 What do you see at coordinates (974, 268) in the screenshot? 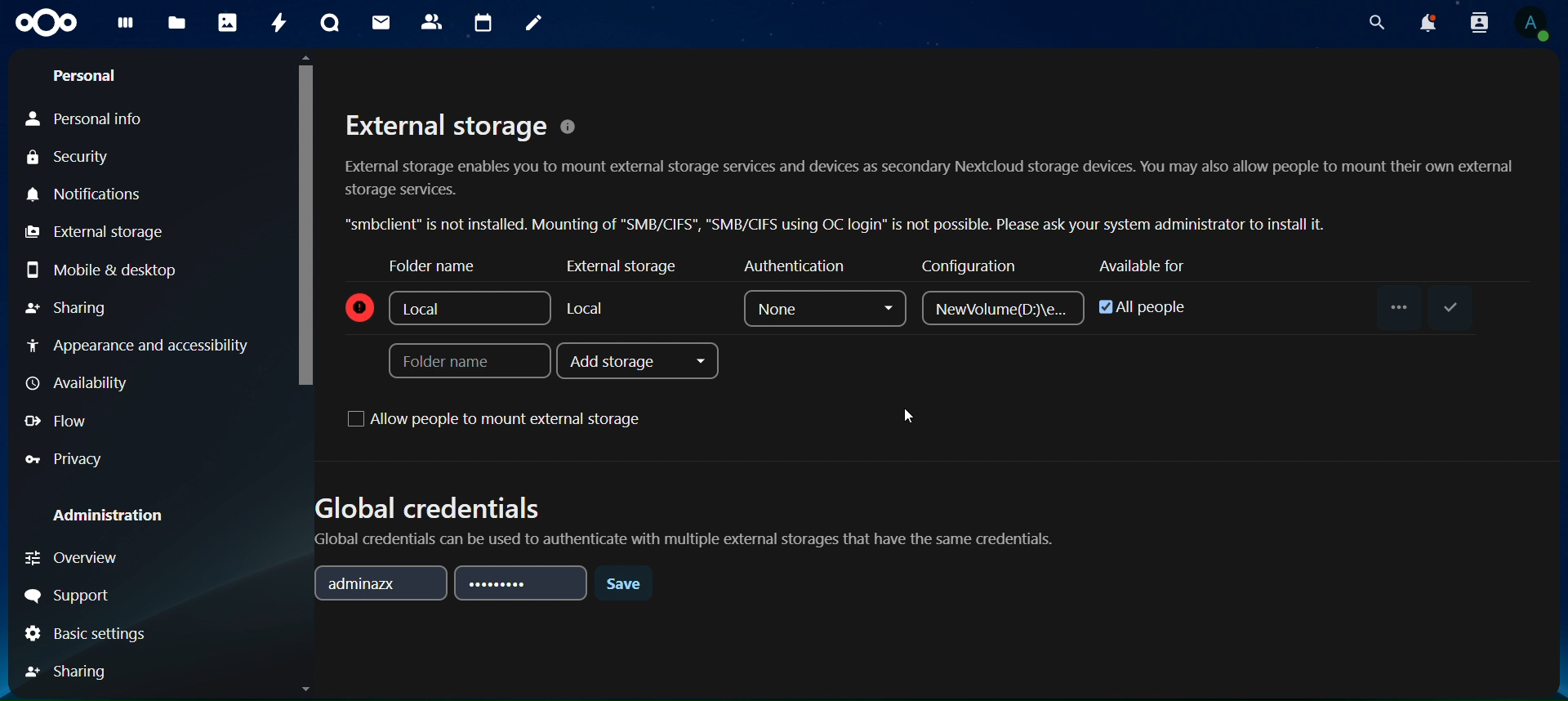
I see `configuration` at bounding box center [974, 268].